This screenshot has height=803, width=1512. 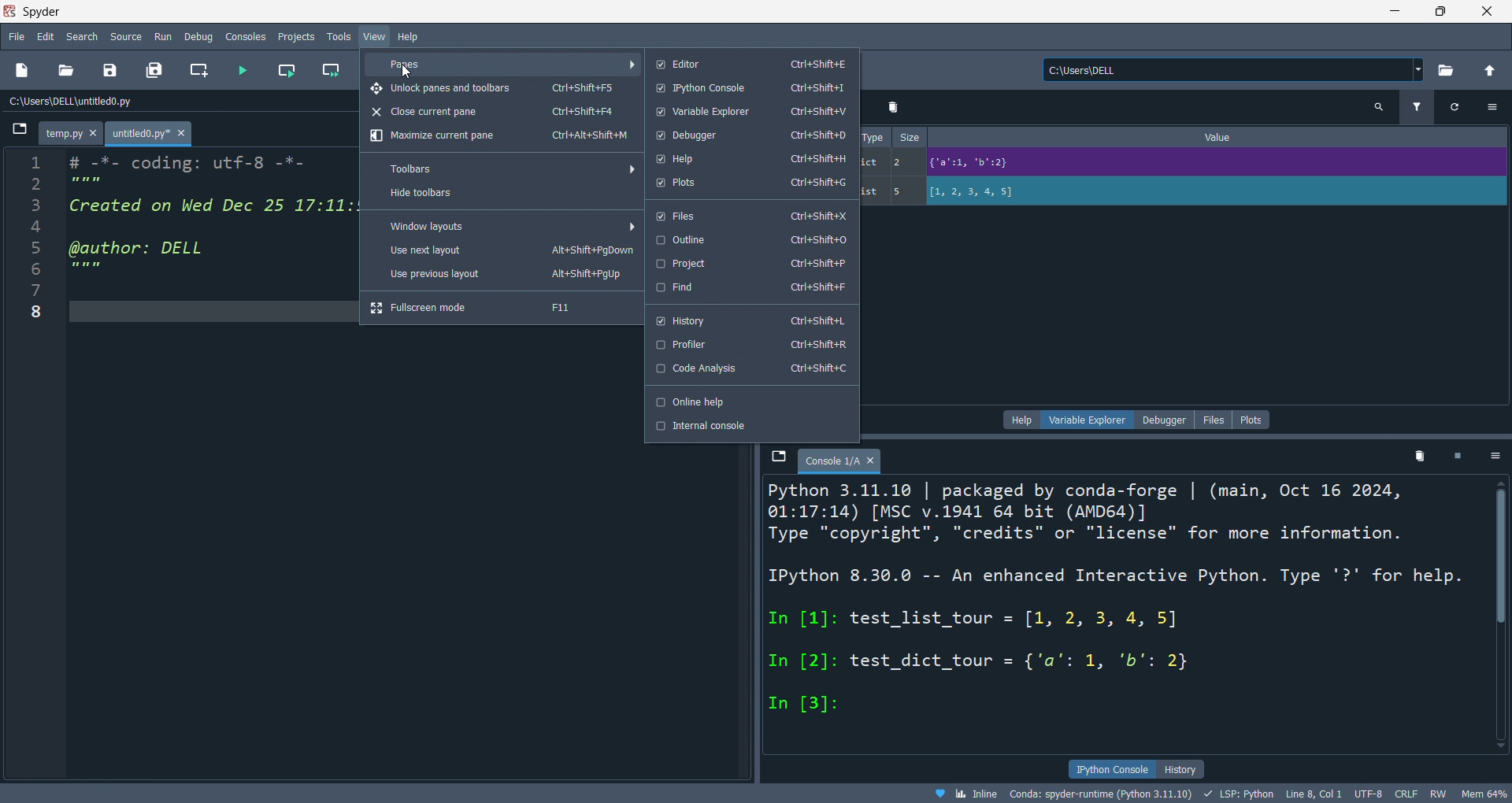 I want to click on help, so click(x=1023, y=420).